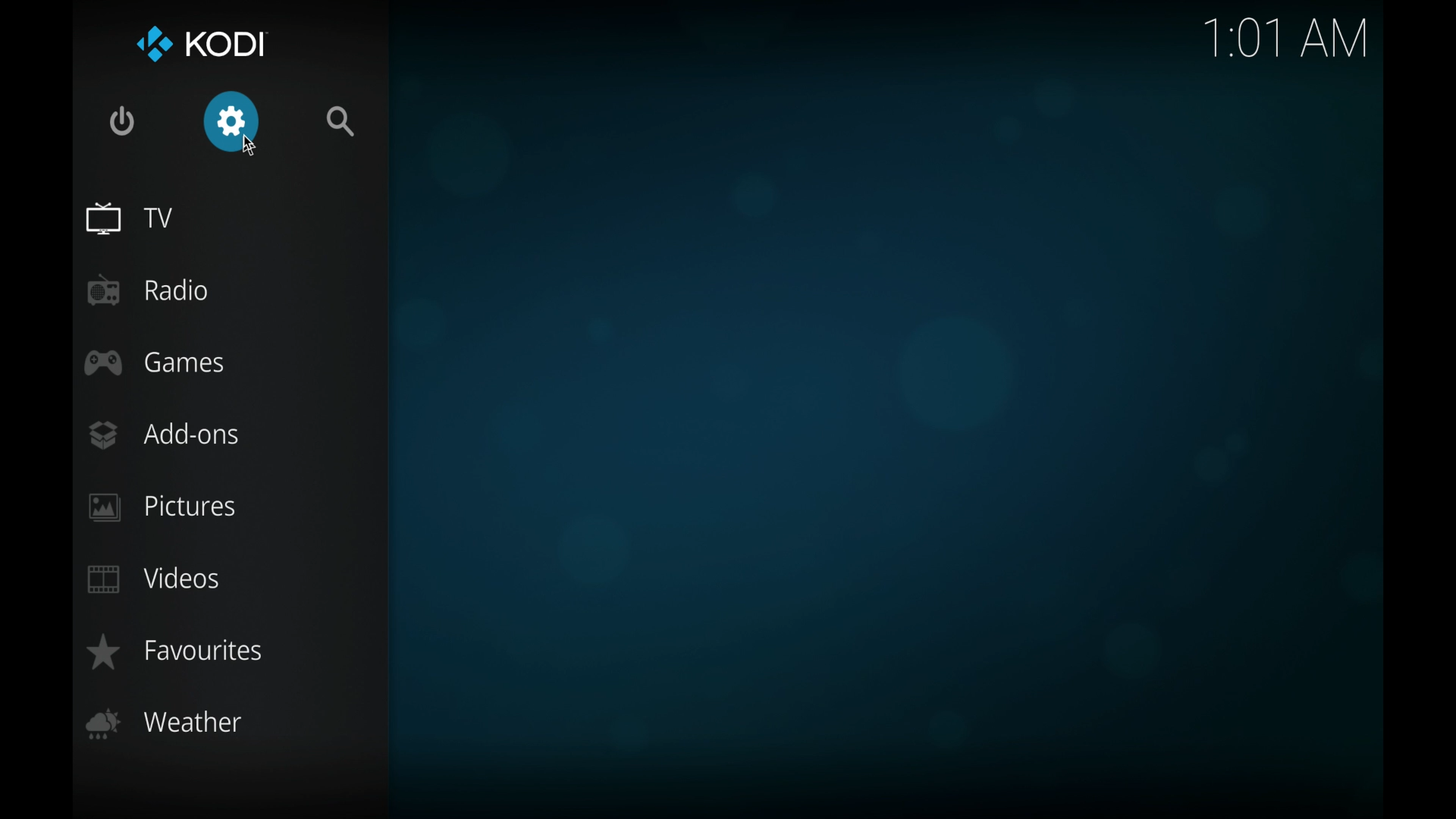  What do you see at coordinates (163, 434) in the screenshot?
I see `add-ons` at bounding box center [163, 434].